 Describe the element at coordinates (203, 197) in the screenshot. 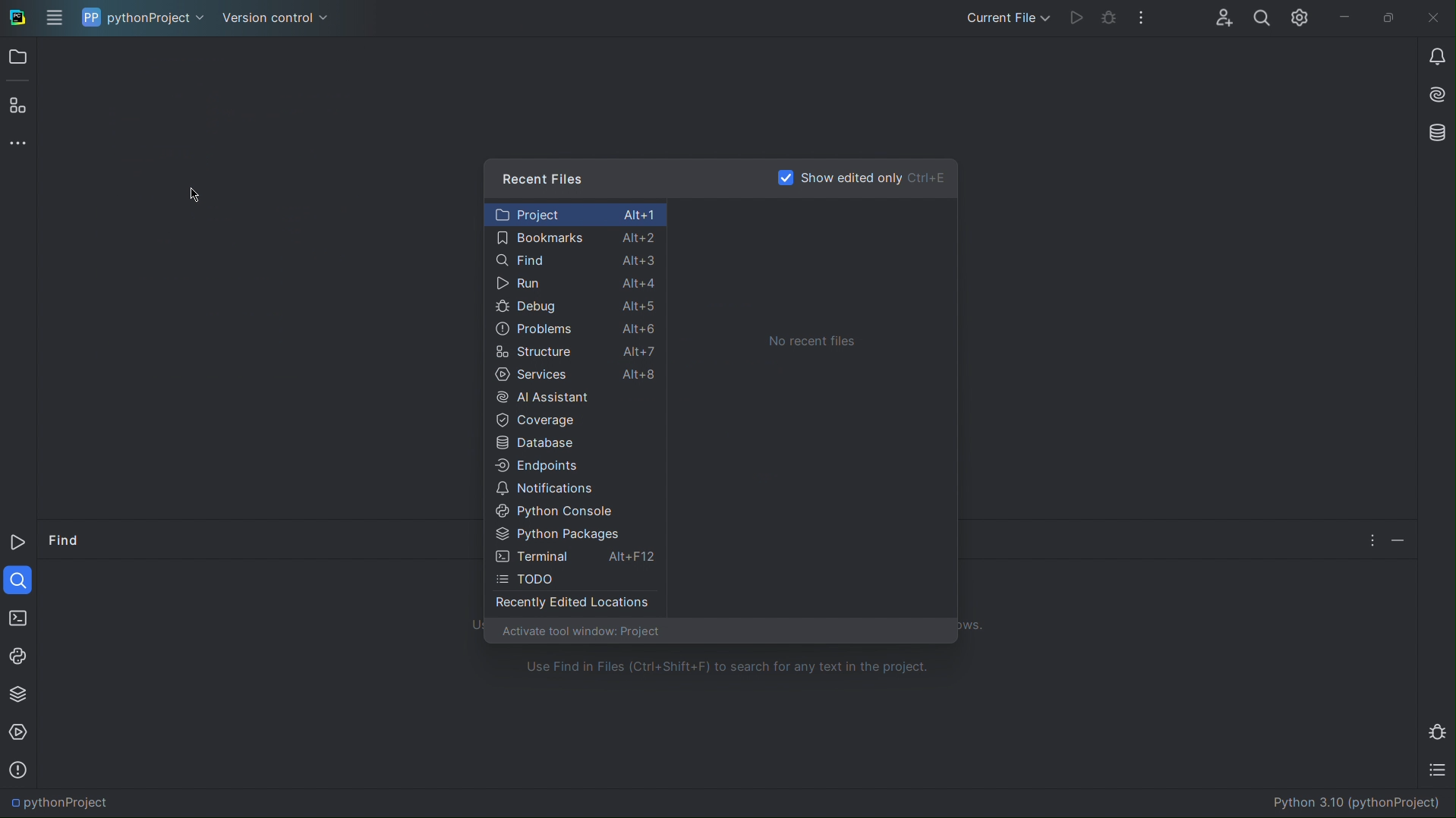

I see `cursor` at that location.